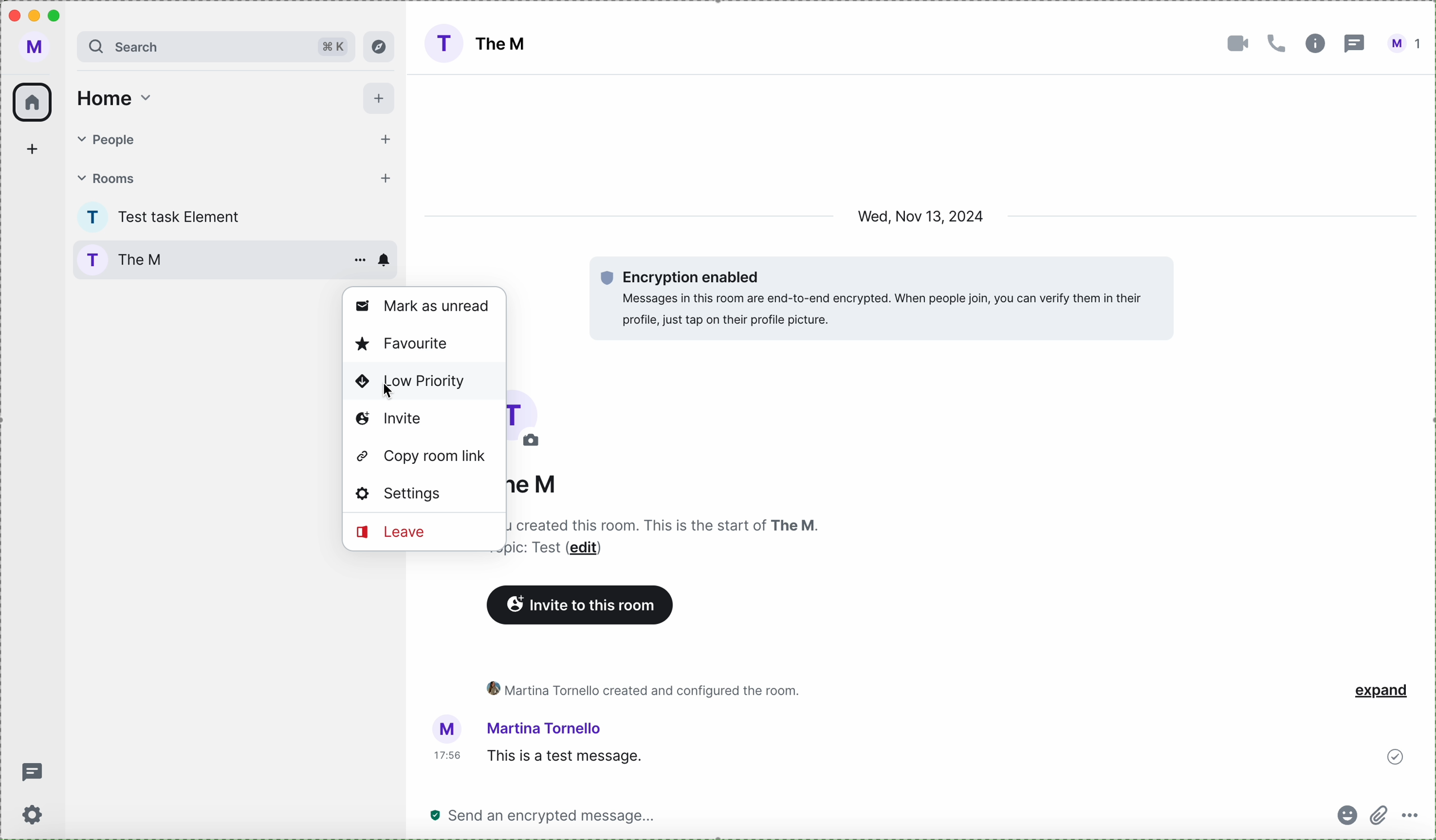  What do you see at coordinates (584, 605) in the screenshot?
I see `invite to this room button` at bounding box center [584, 605].